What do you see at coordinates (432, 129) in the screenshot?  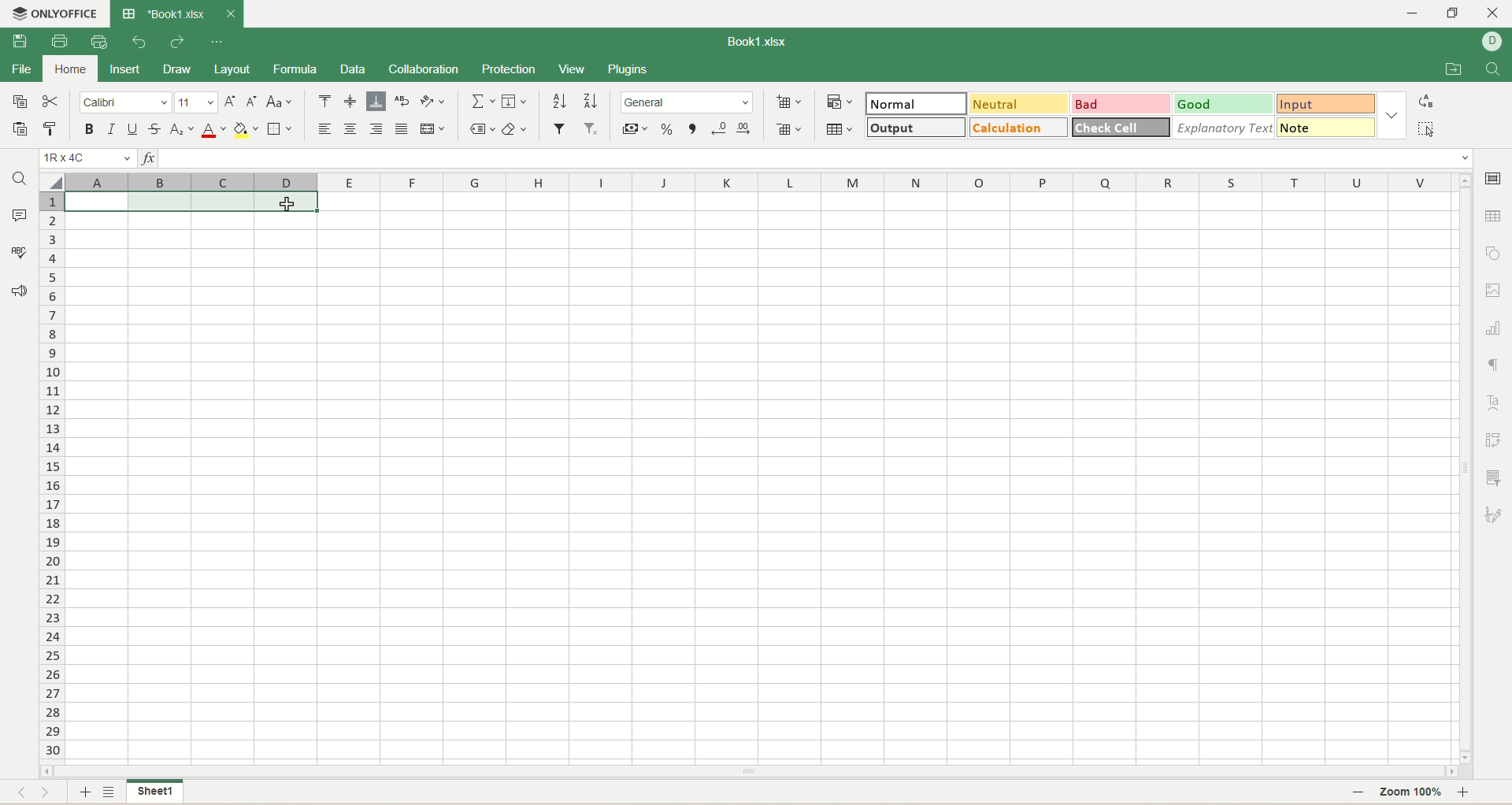 I see `merge and center` at bounding box center [432, 129].